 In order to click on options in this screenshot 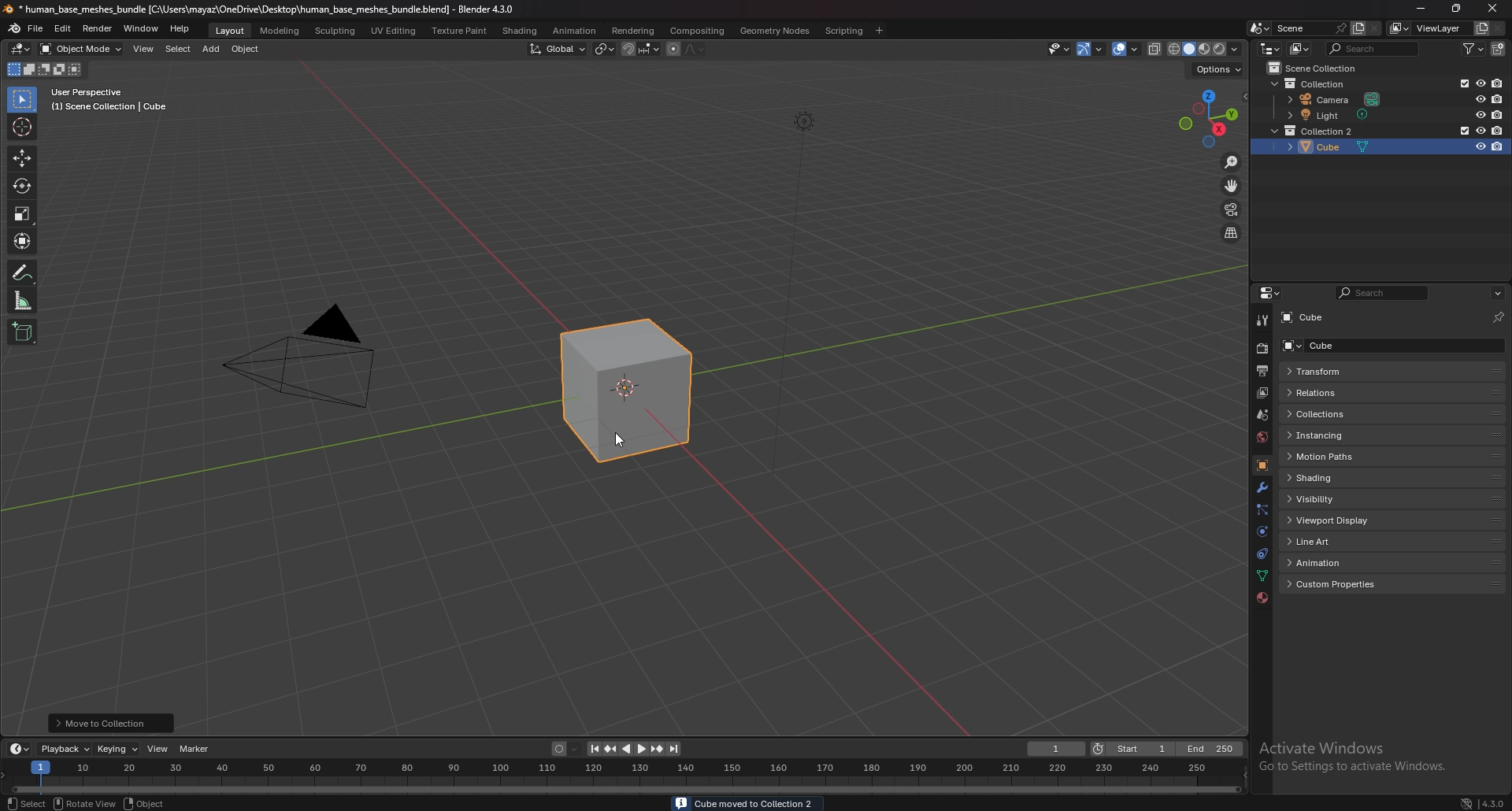, I will do `click(1218, 68)`.